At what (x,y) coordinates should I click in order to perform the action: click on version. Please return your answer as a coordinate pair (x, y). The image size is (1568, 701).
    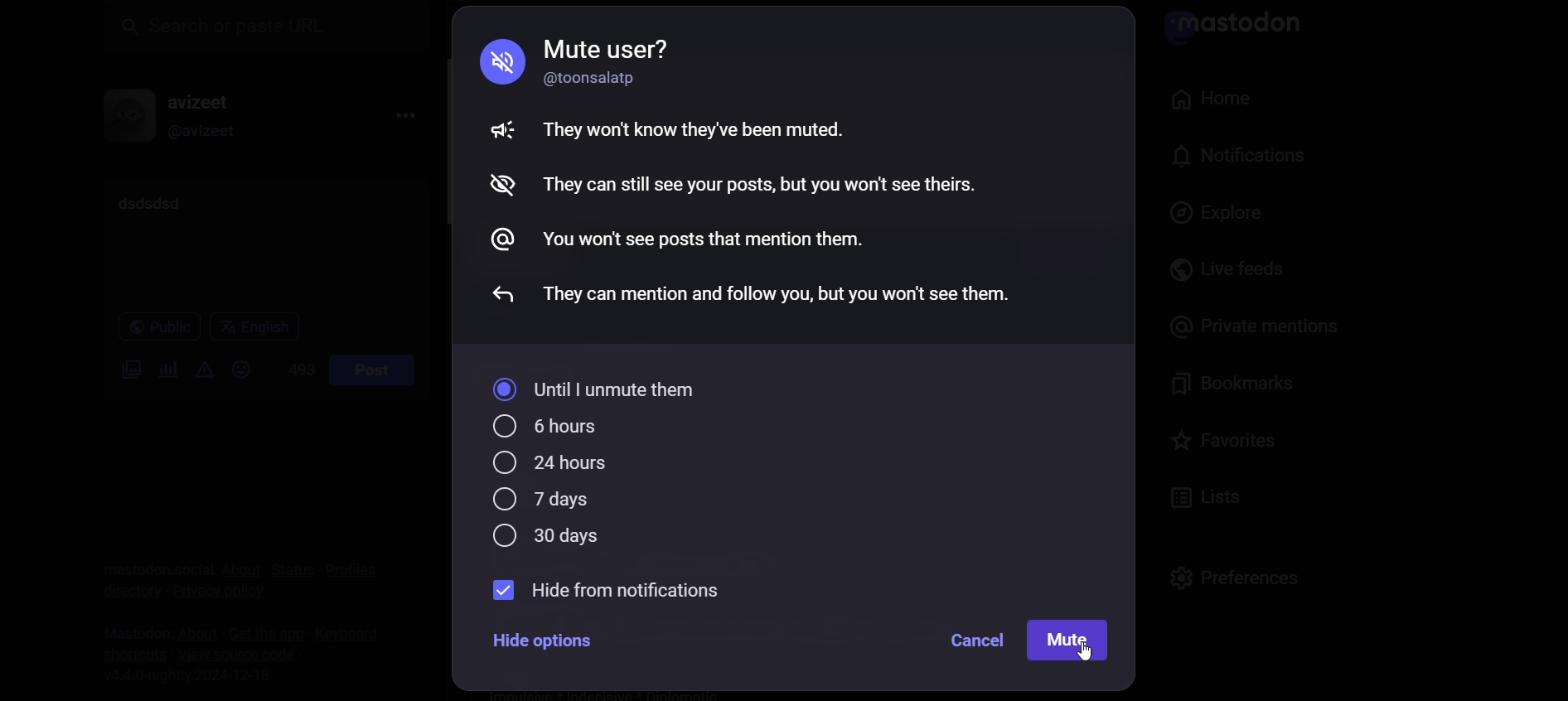
    Looking at the image, I should click on (191, 676).